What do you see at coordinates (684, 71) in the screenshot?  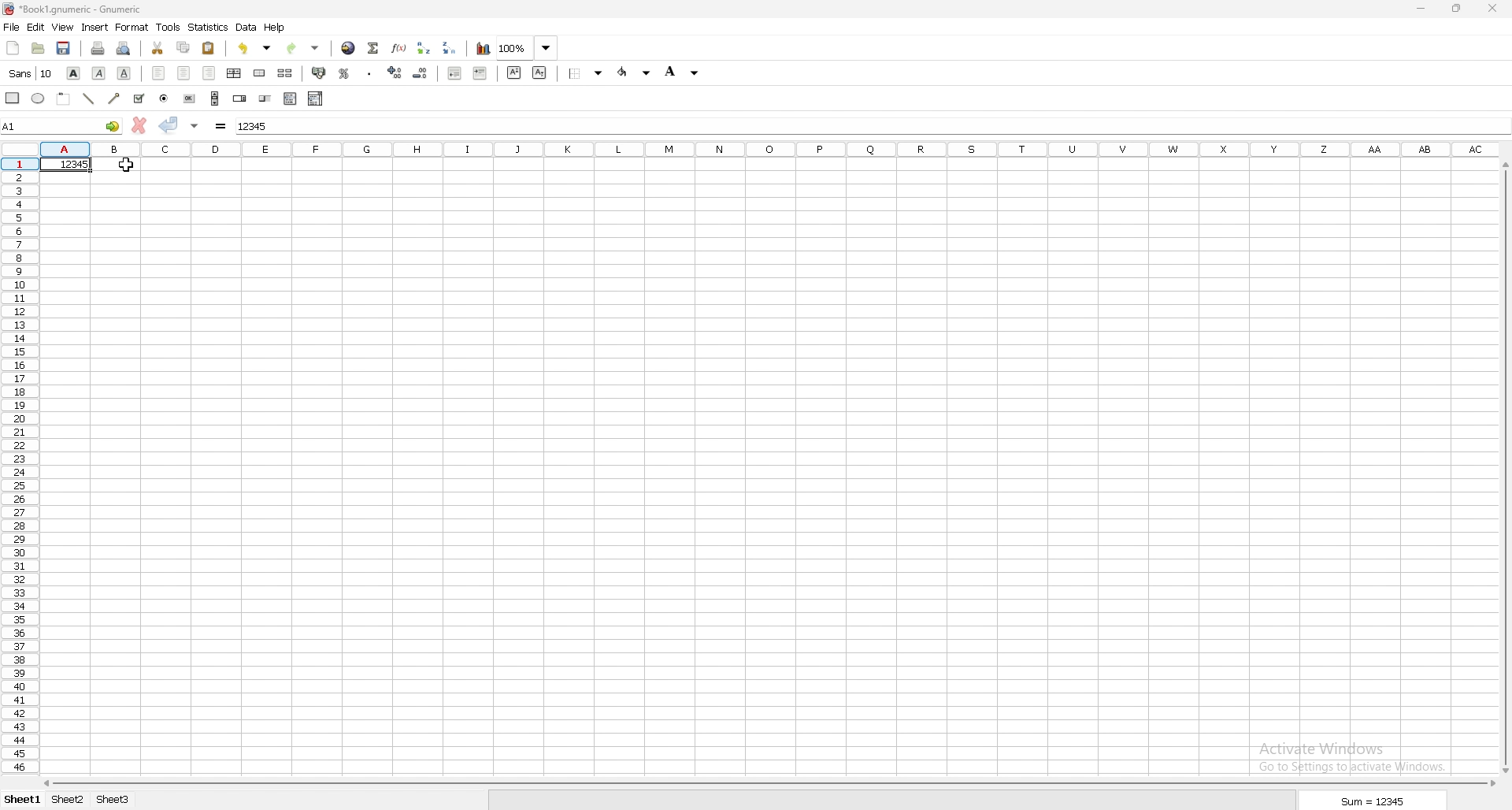 I see `background` at bounding box center [684, 71].